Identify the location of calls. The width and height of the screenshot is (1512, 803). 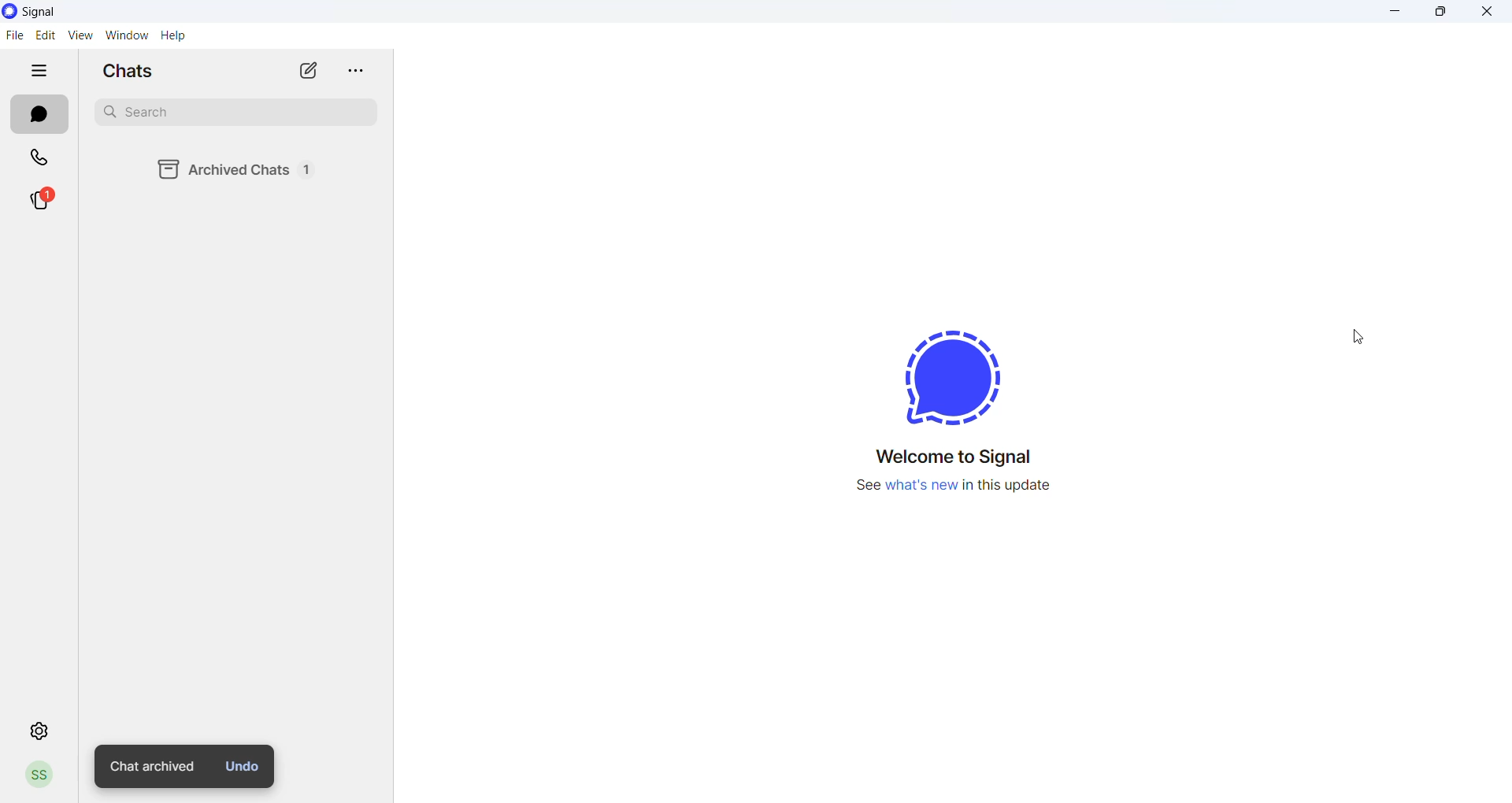
(46, 158).